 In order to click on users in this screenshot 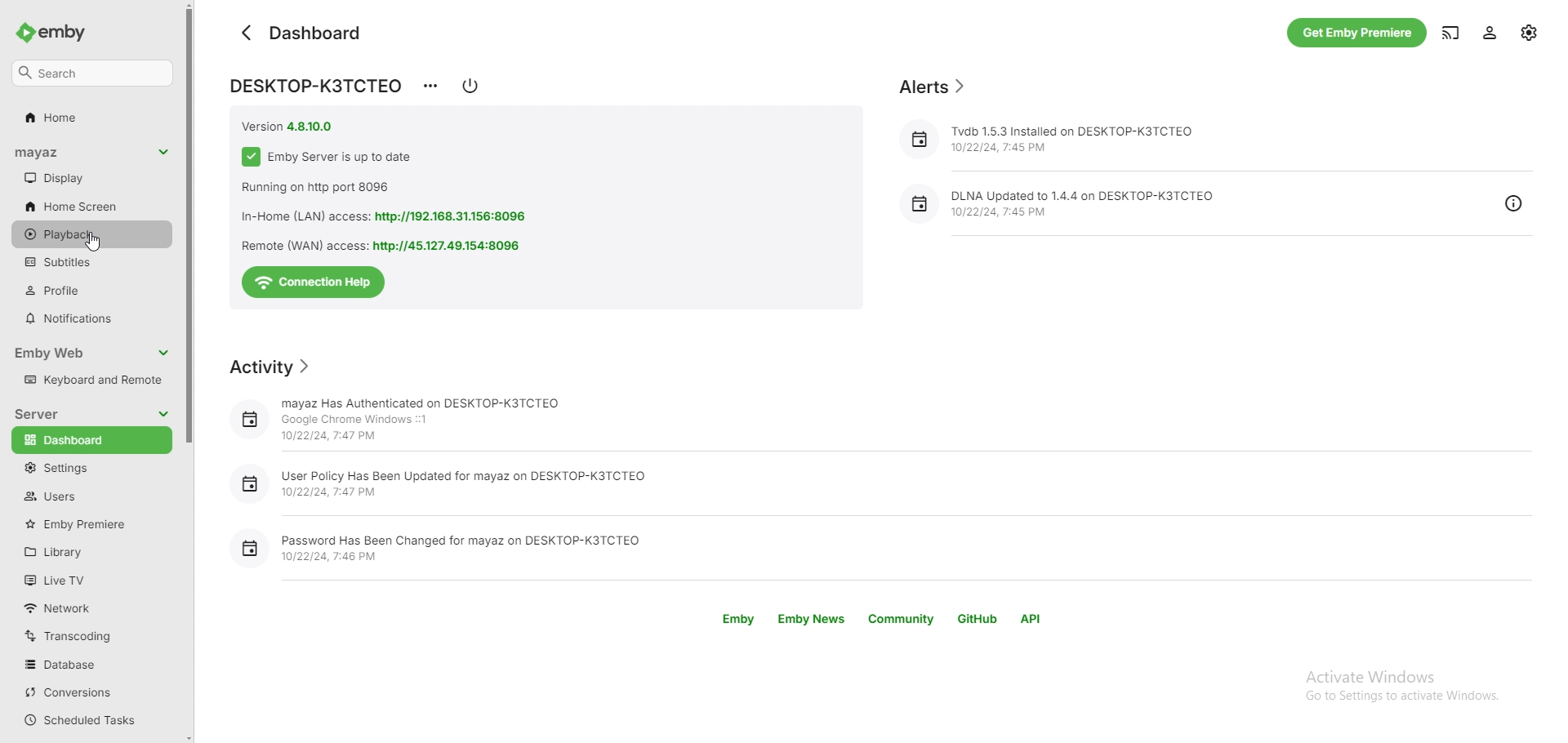, I will do `click(82, 496)`.